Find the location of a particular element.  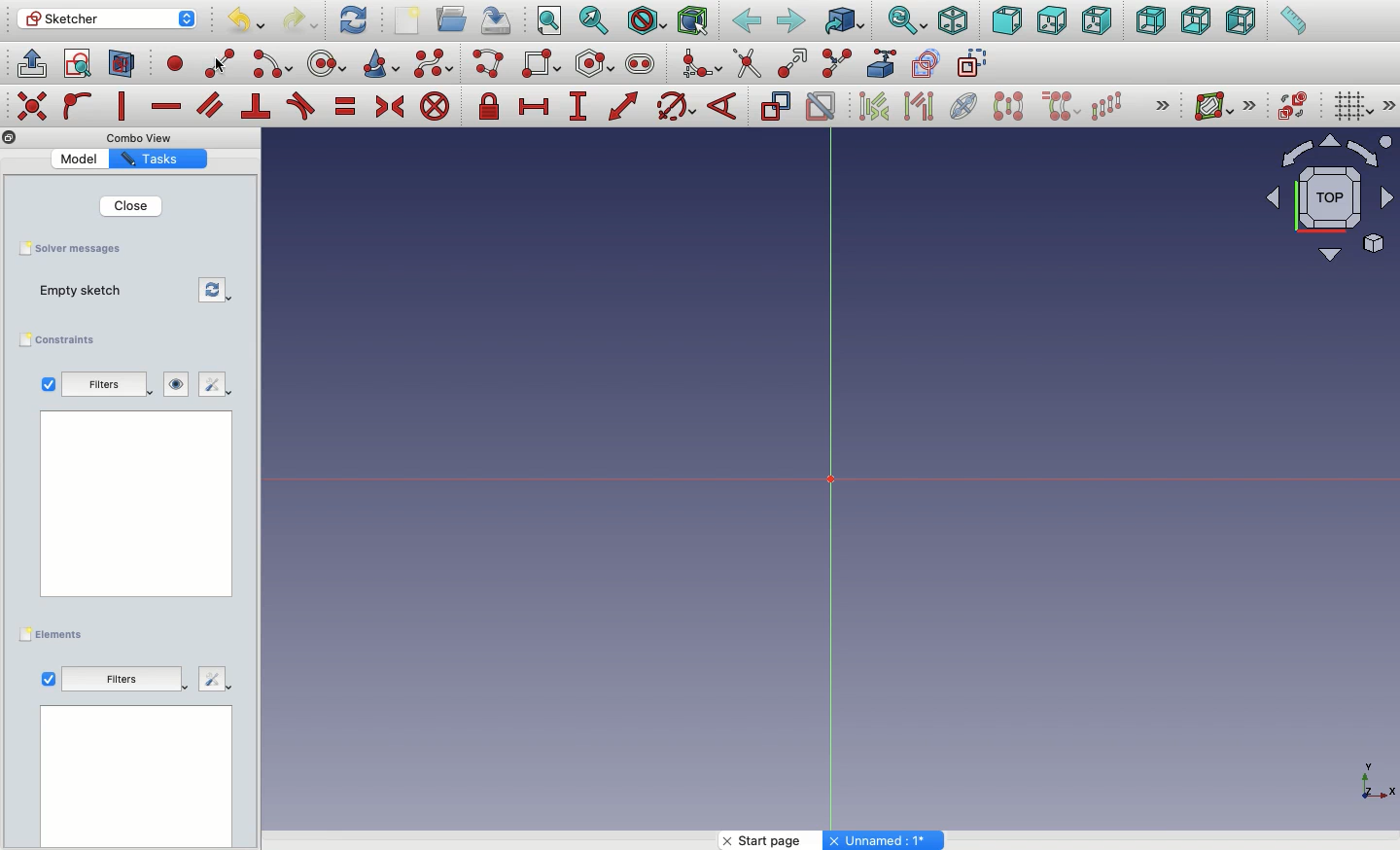

Slot is located at coordinates (641, 64).